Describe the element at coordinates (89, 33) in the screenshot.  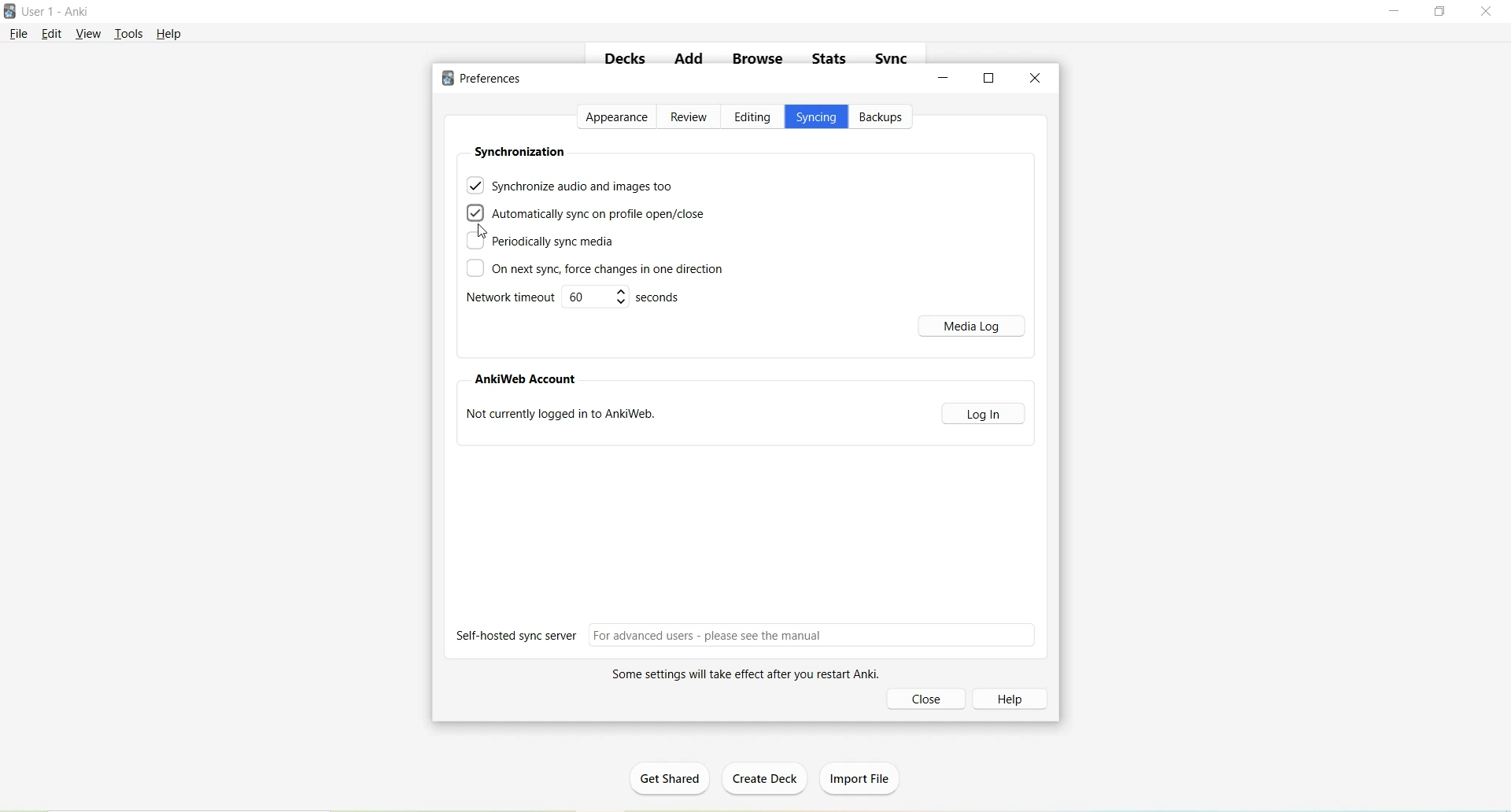
I see `View` at that location.